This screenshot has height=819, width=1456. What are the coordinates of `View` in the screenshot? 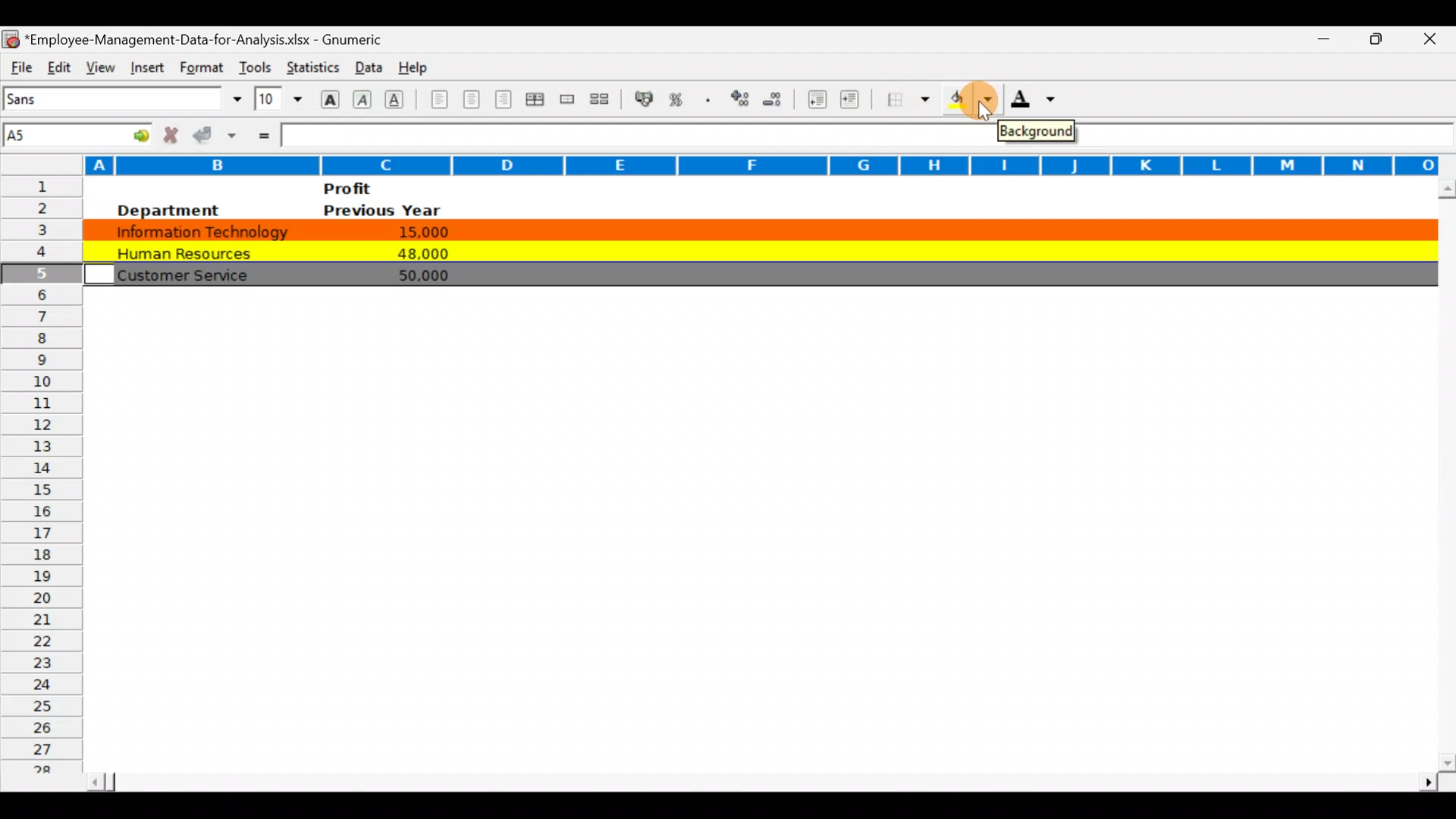 It's located at (97, 65).